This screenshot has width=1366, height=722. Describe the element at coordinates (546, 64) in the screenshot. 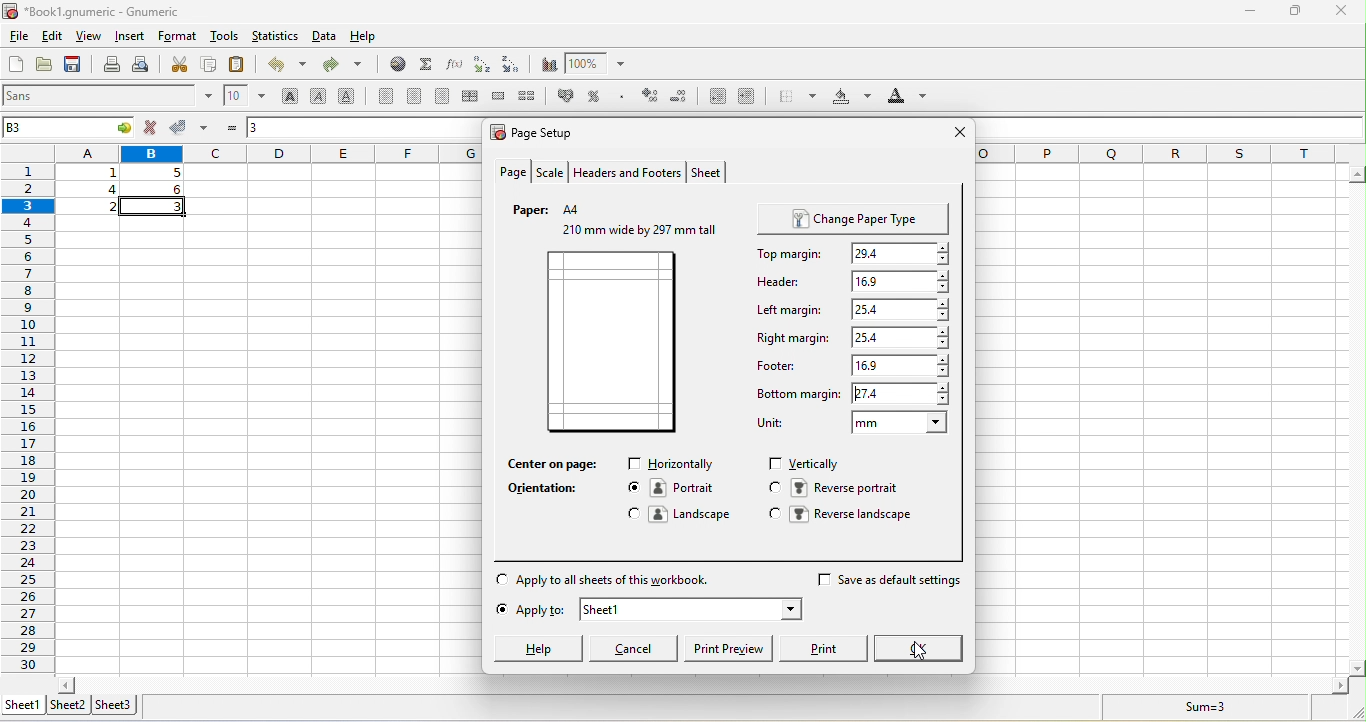

I see `chart` at that location.